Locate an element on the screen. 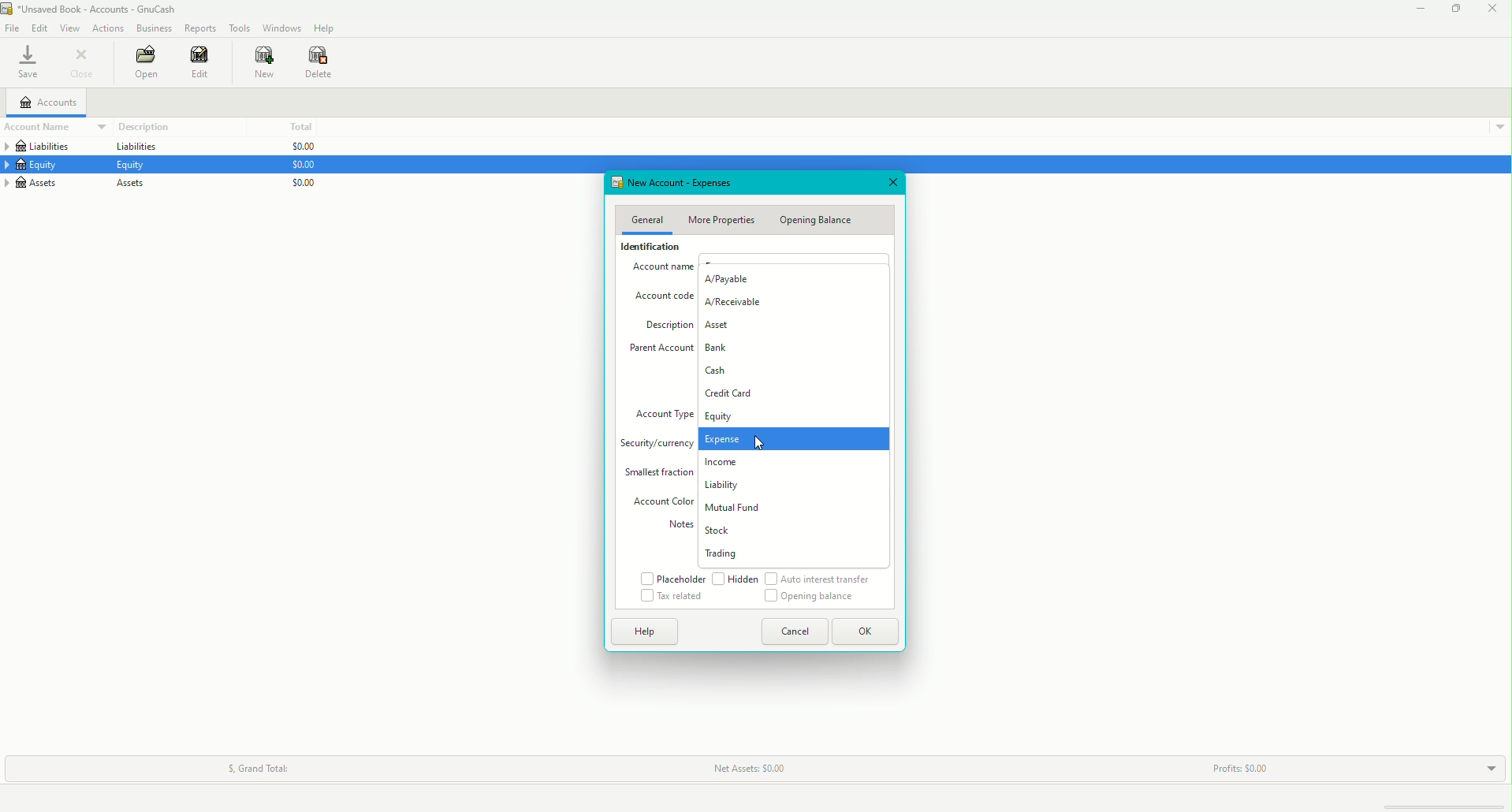  Parent Account is located at coordinates (663, 352).